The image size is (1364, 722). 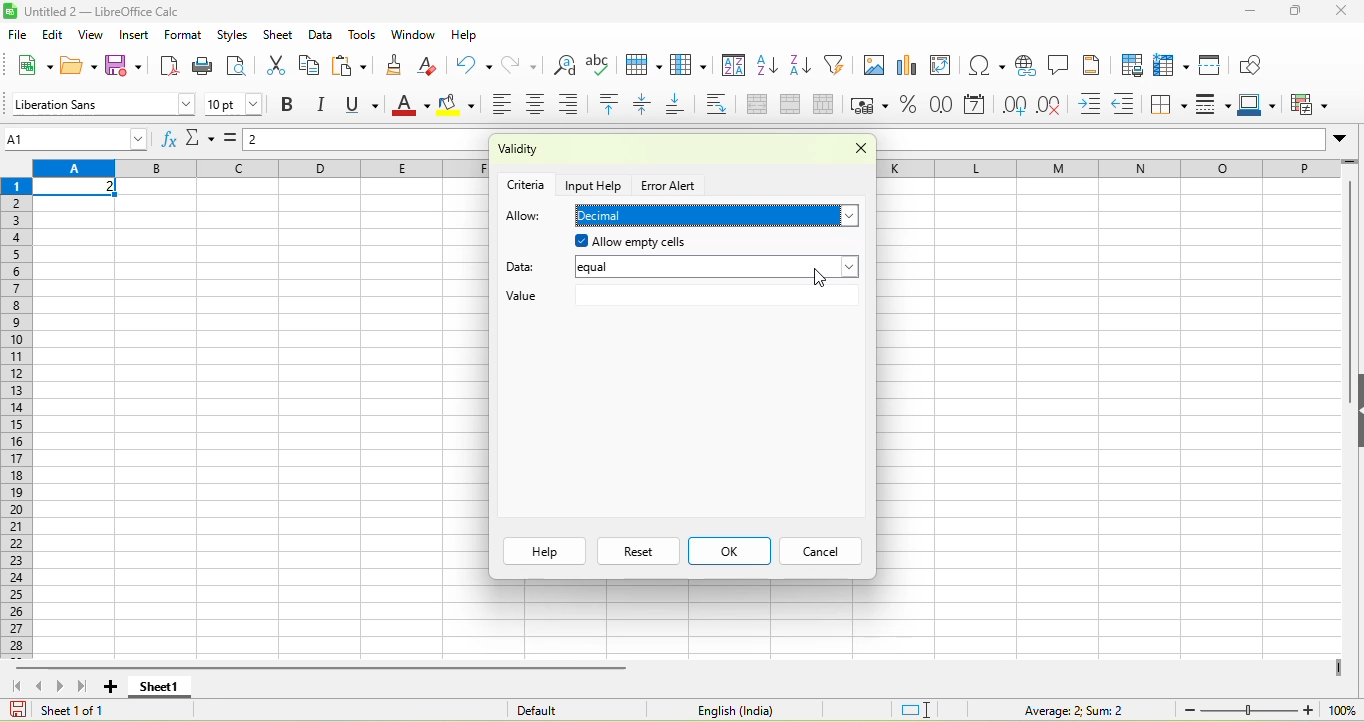 What do you see at coordinates (612, 105) in the screenshot?
I see `align top` at bounding box center [612, 105].